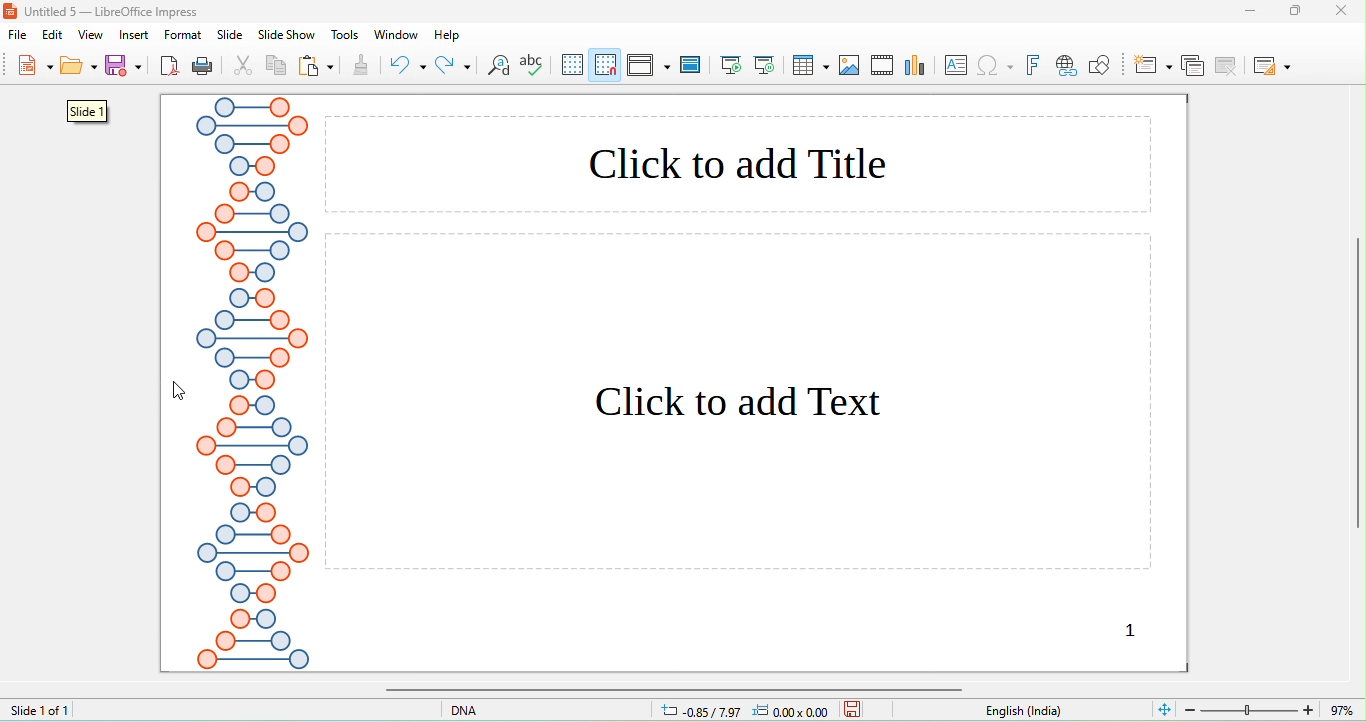 Image resolution: width=1366 pixels, height=722 pixels. Describe the element at coordinates (55, 35) in the screenshot. I see `edit` at that location.